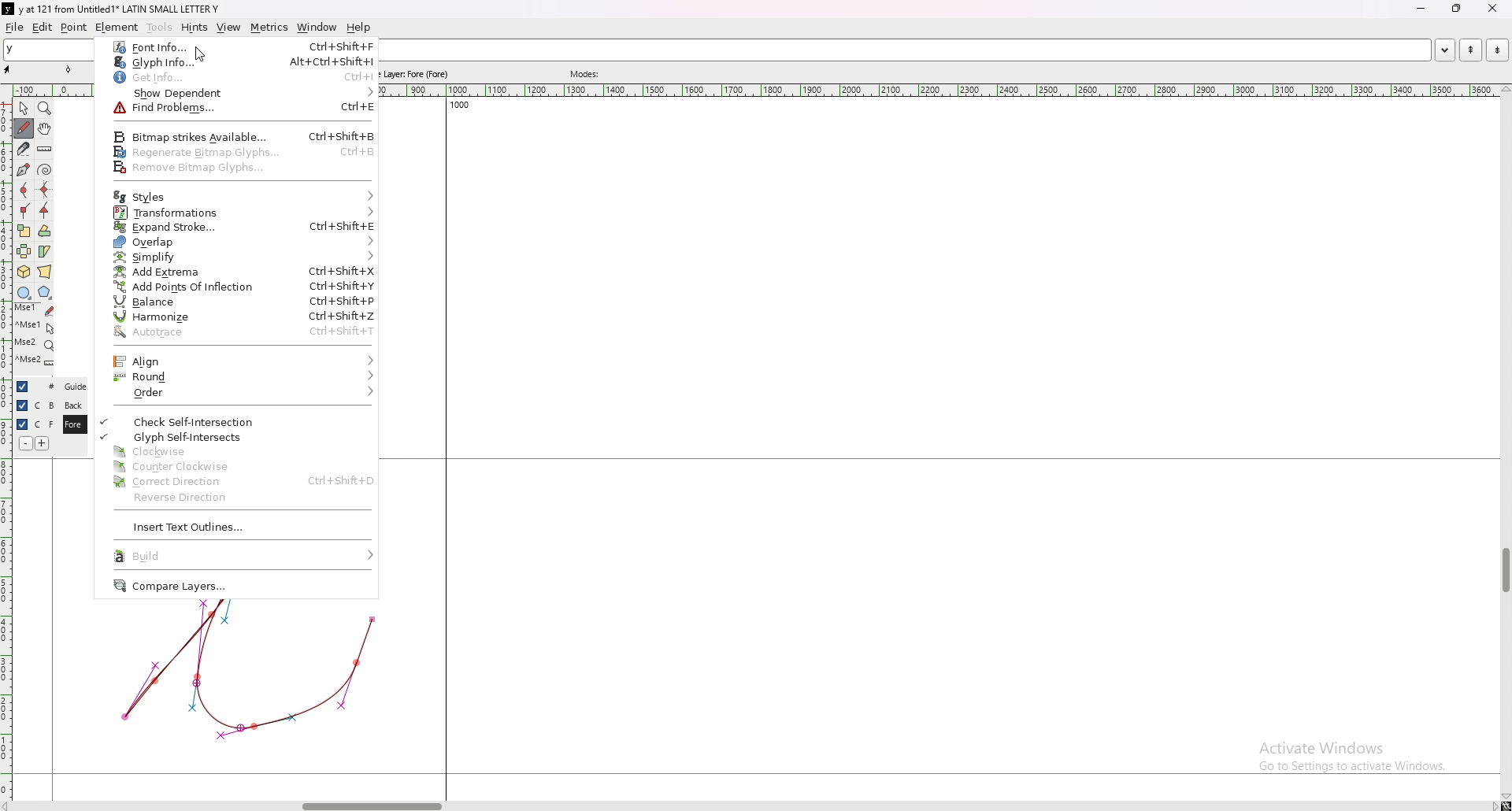  What do you see at coordinates (22, 424) in the screenshot?
I see `hide layer` at bounding box center [22, 424].